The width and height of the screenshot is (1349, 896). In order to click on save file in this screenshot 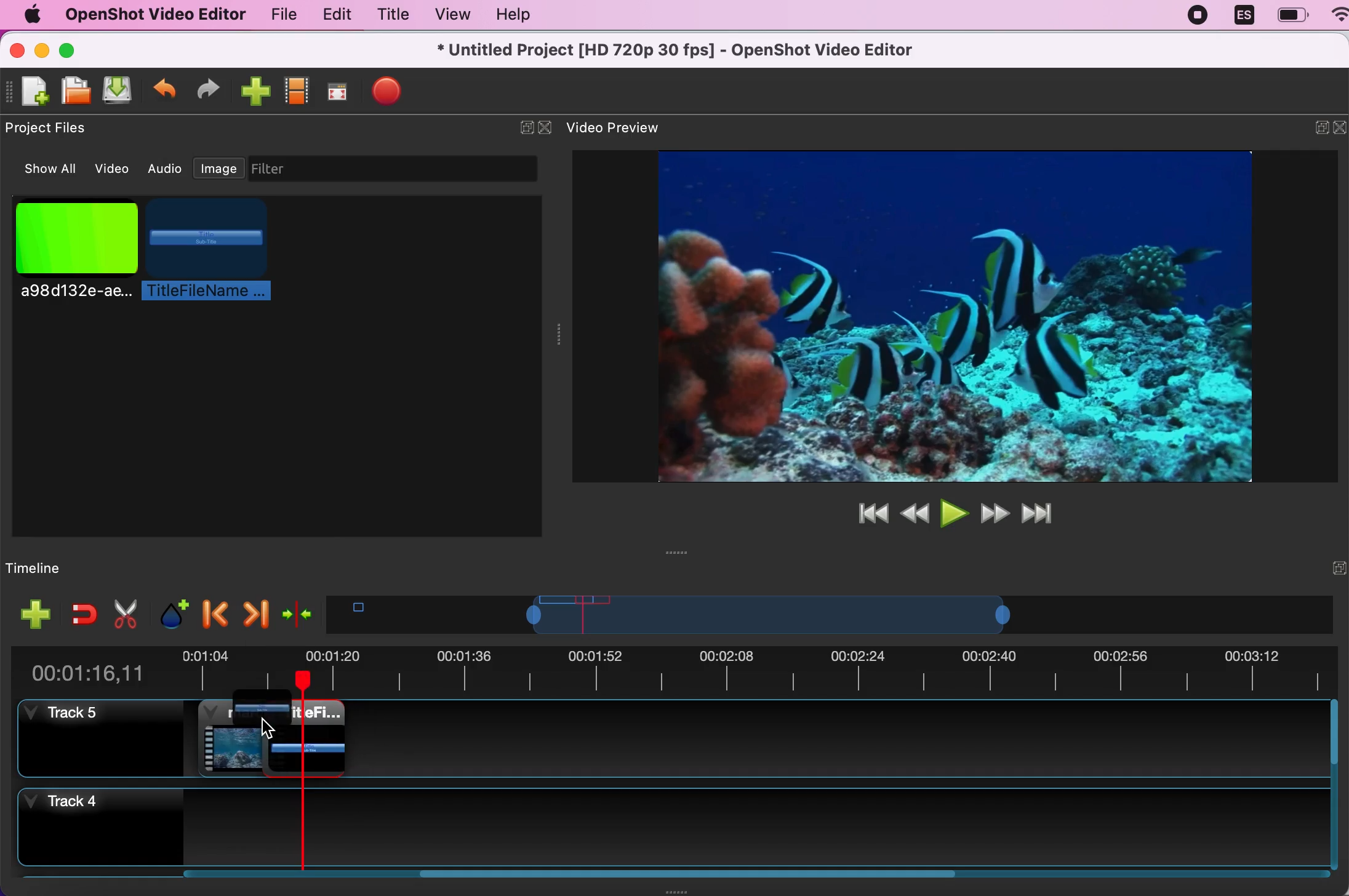, I will do `click(121, 92)`.